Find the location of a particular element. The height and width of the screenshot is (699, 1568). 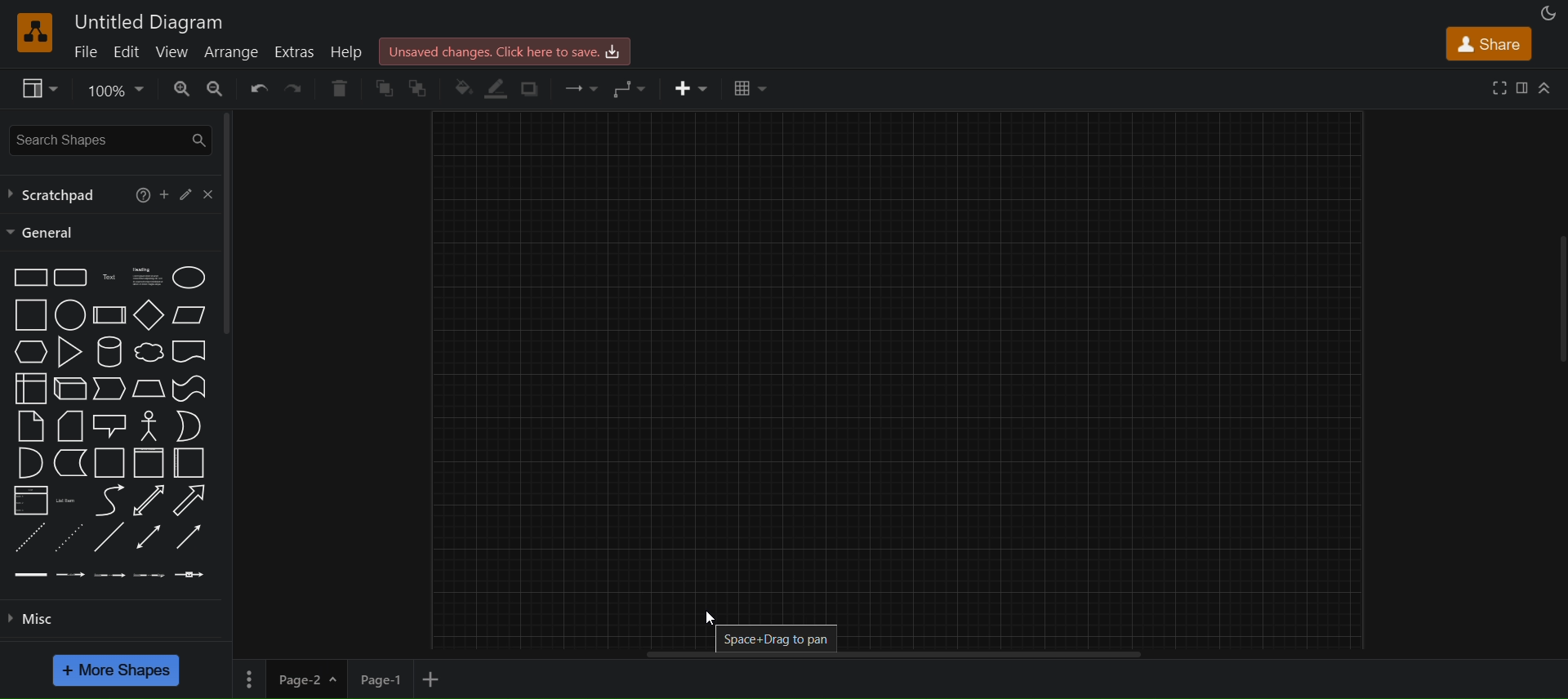

fill color is located at coordinates (463, 86).